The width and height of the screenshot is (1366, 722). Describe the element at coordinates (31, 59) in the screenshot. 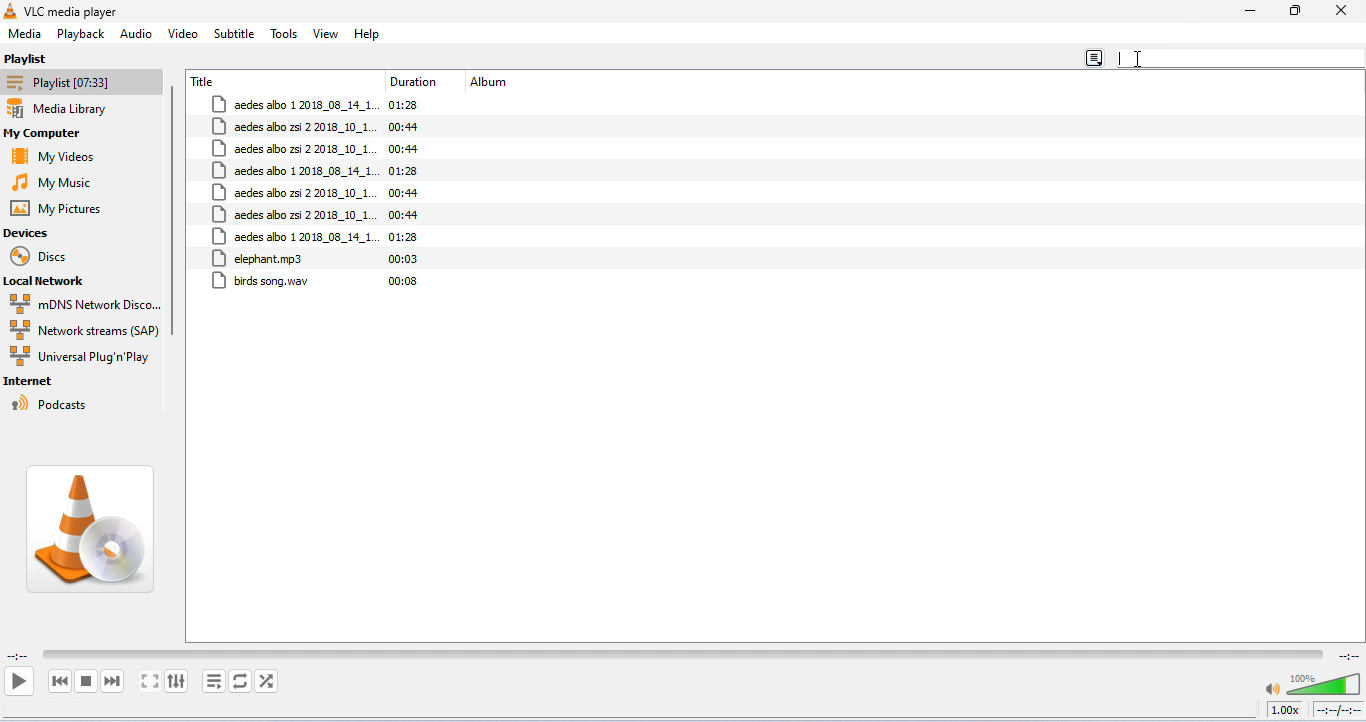

I see `playlist` at that location.